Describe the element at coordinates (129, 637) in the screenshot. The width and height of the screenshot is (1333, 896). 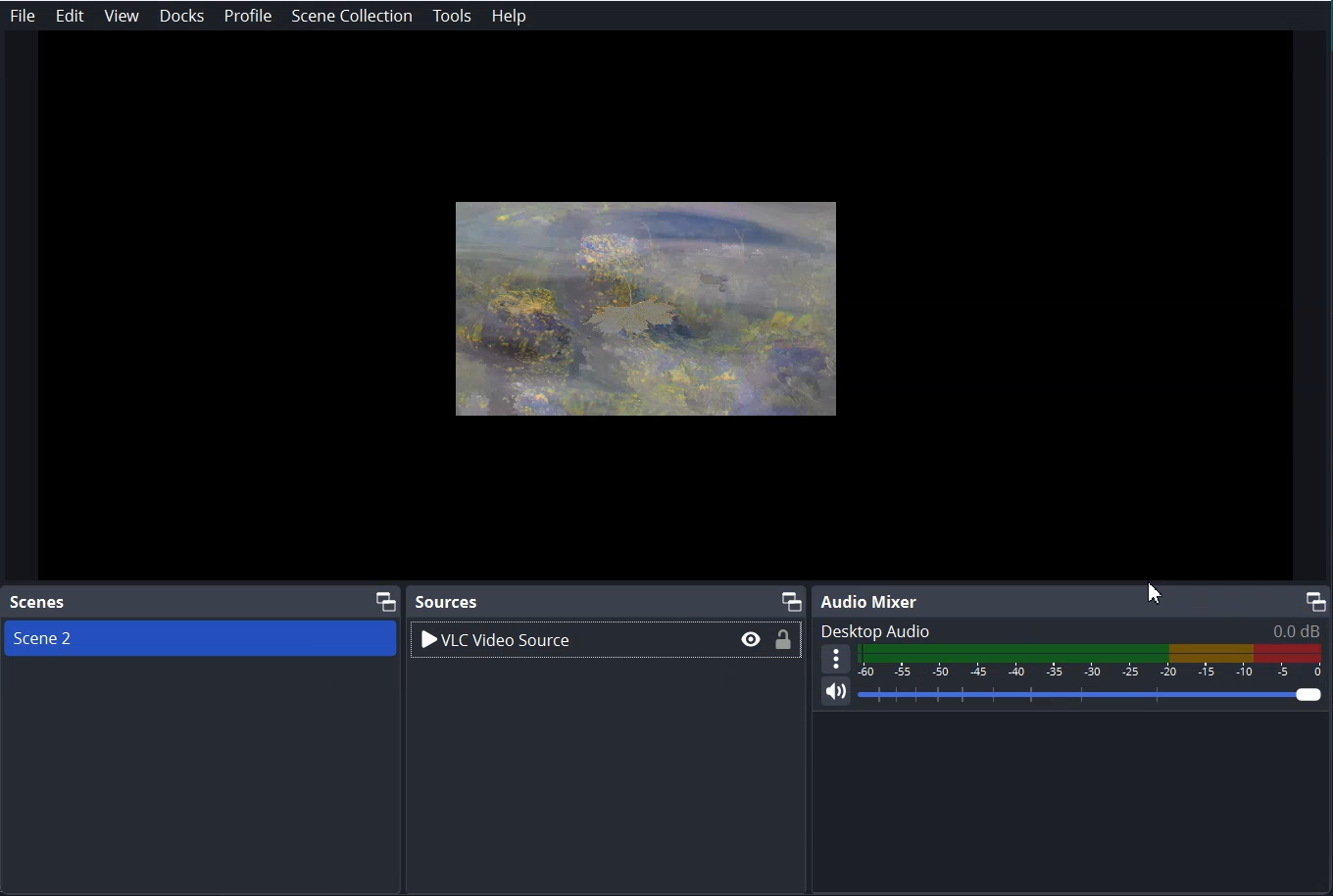
I see `Scene ` at that location.